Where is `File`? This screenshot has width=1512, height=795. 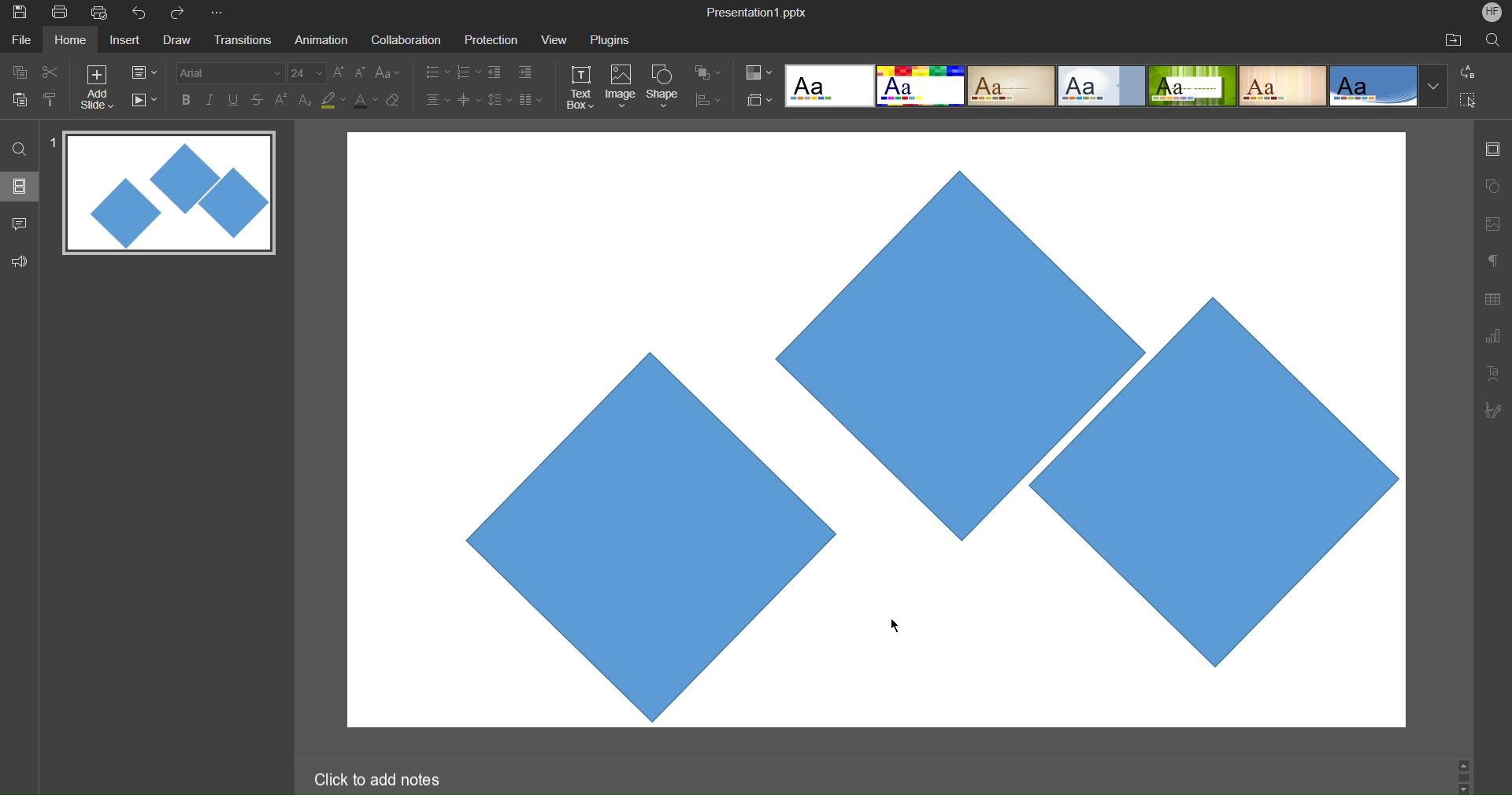 File is located at coordinates (24, 39).